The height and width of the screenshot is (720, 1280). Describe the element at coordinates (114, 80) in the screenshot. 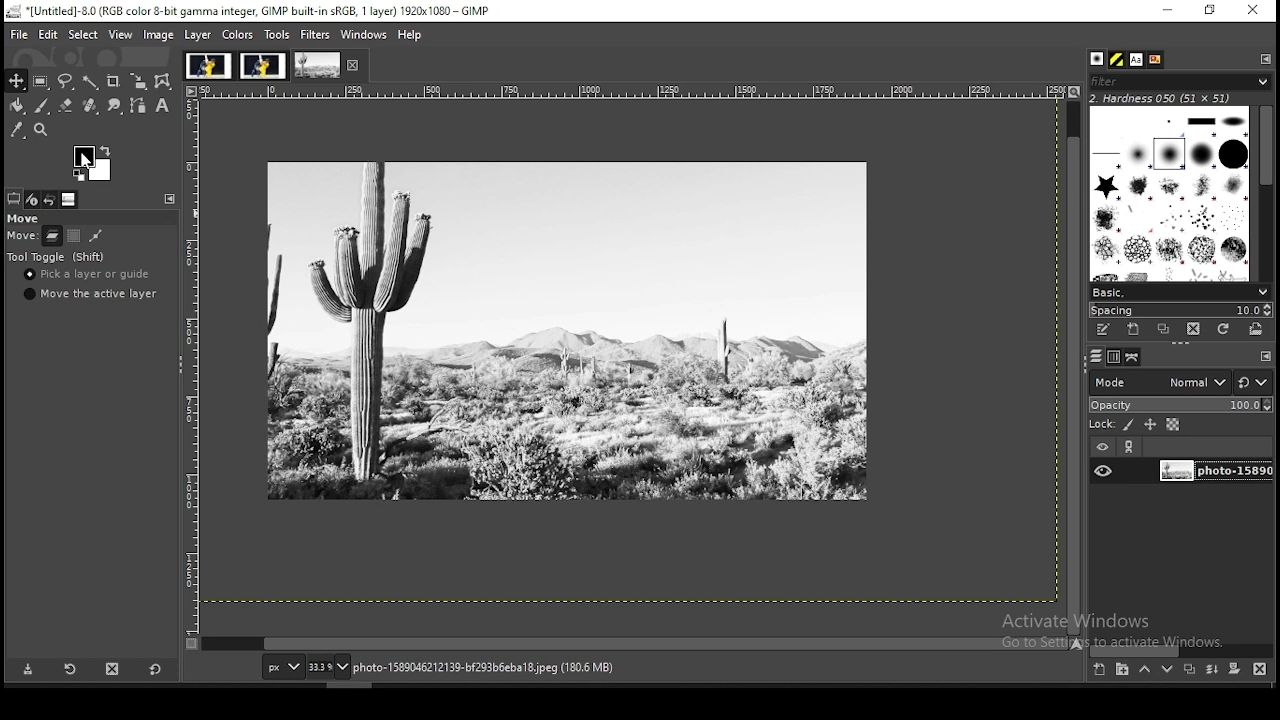

I see `crop tool` at that location.